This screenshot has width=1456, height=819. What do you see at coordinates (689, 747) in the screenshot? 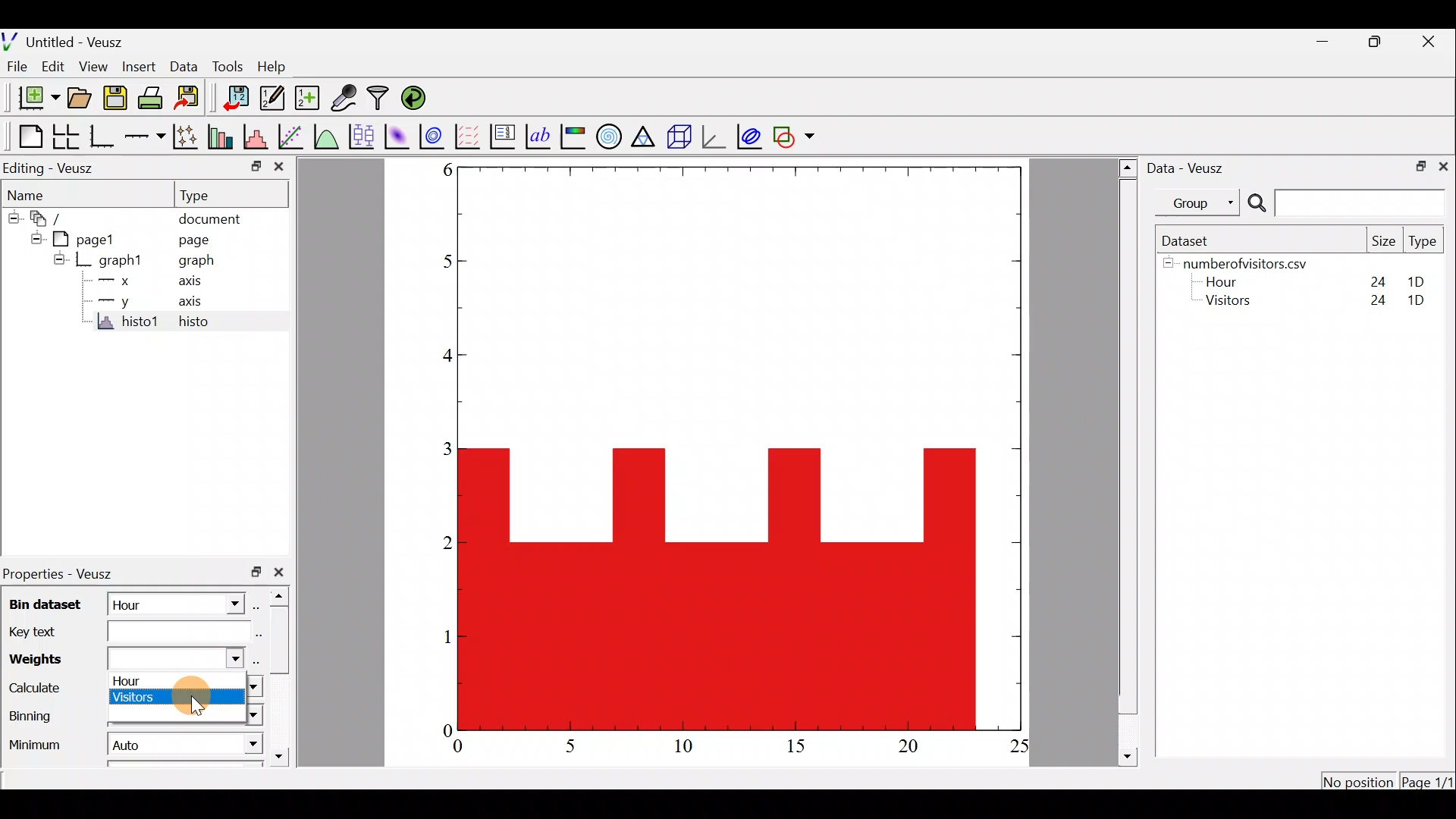
I see `10` at bounding box center [689, 747].